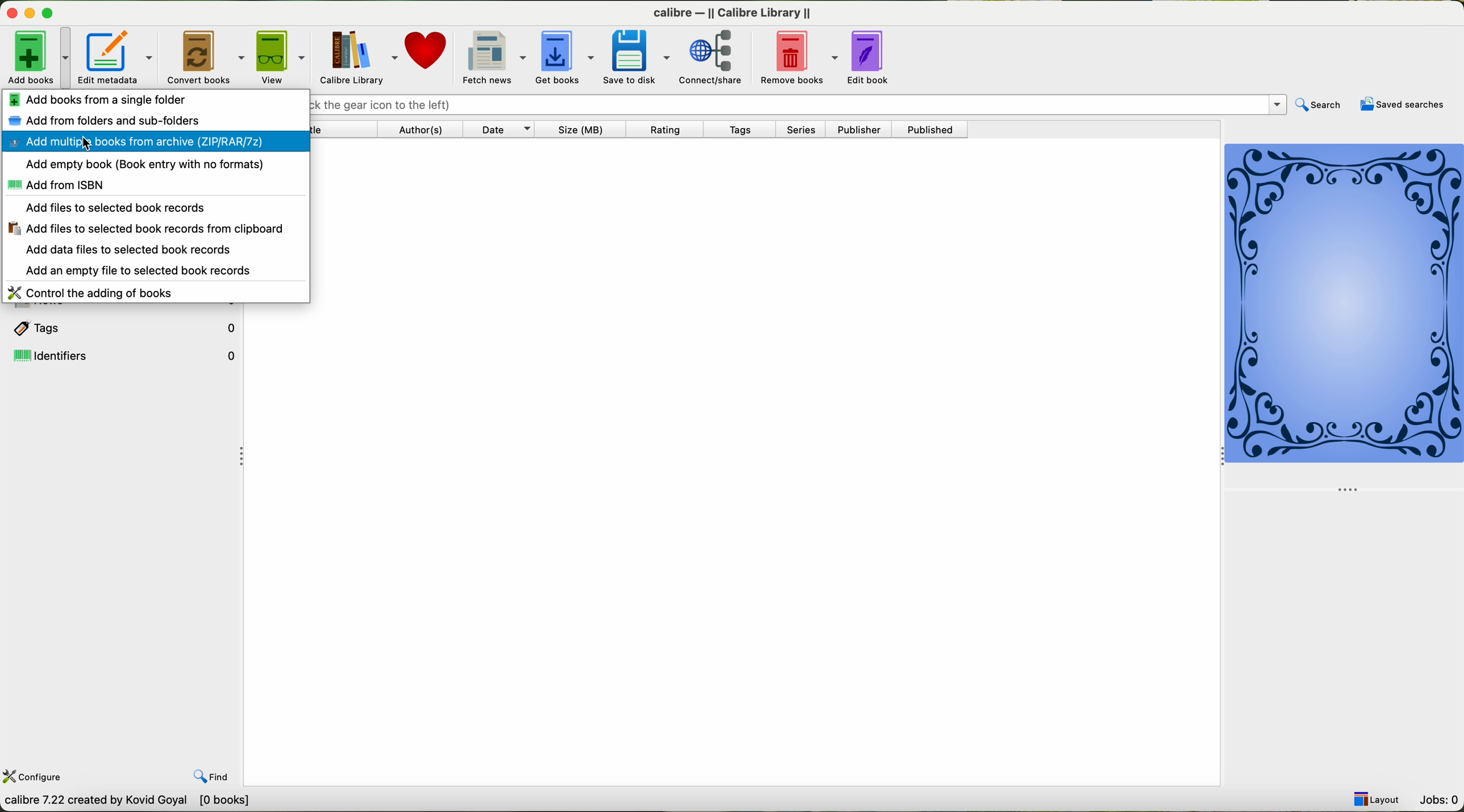  Describe the element at coordinates (796, 104) in the screenshot. I see `search bar` at that location.